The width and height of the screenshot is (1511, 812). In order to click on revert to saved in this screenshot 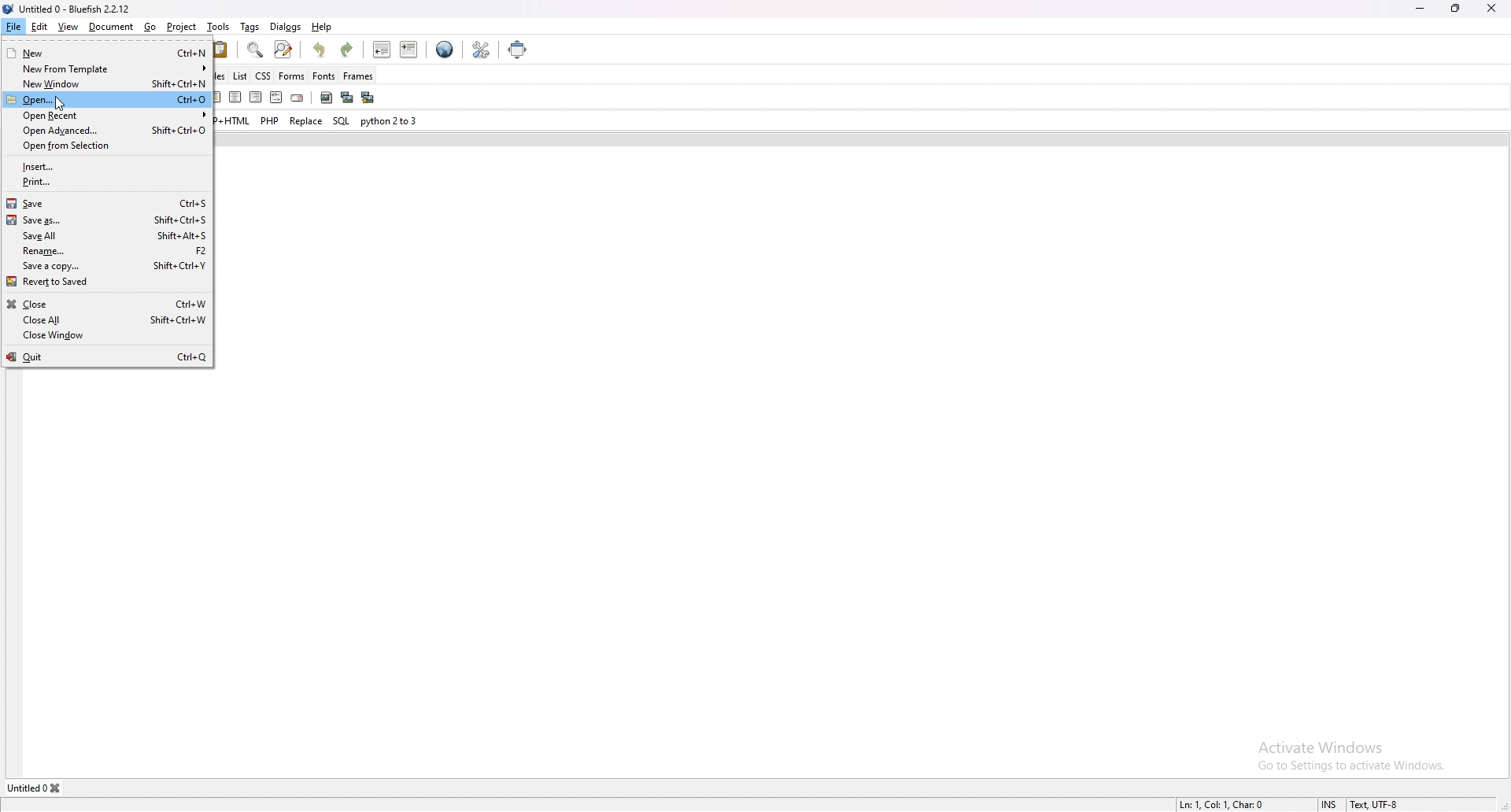, I will do `click(54, 282)`.